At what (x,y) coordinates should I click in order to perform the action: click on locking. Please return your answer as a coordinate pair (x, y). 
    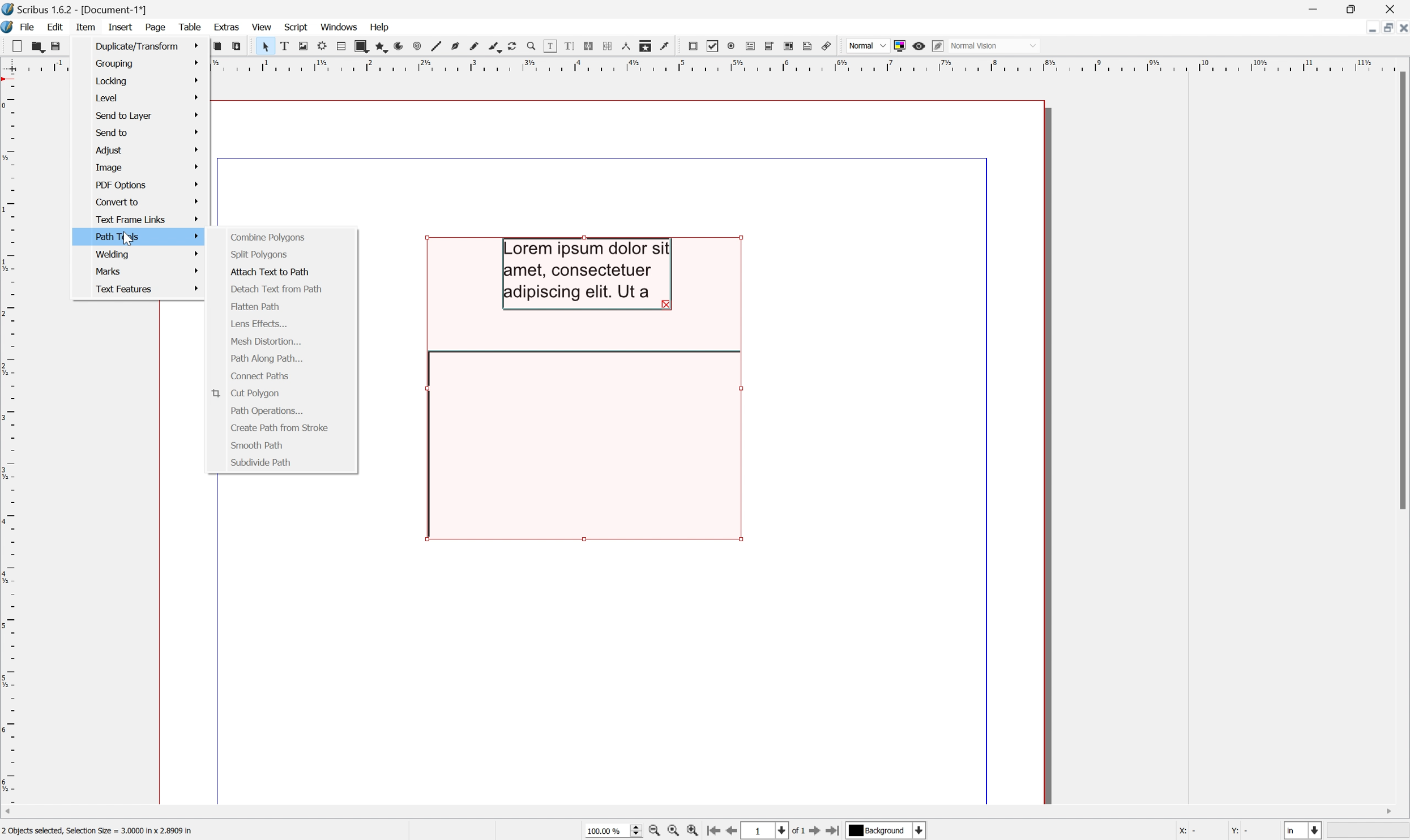
    Looking at the image, I should click on (148, 79).